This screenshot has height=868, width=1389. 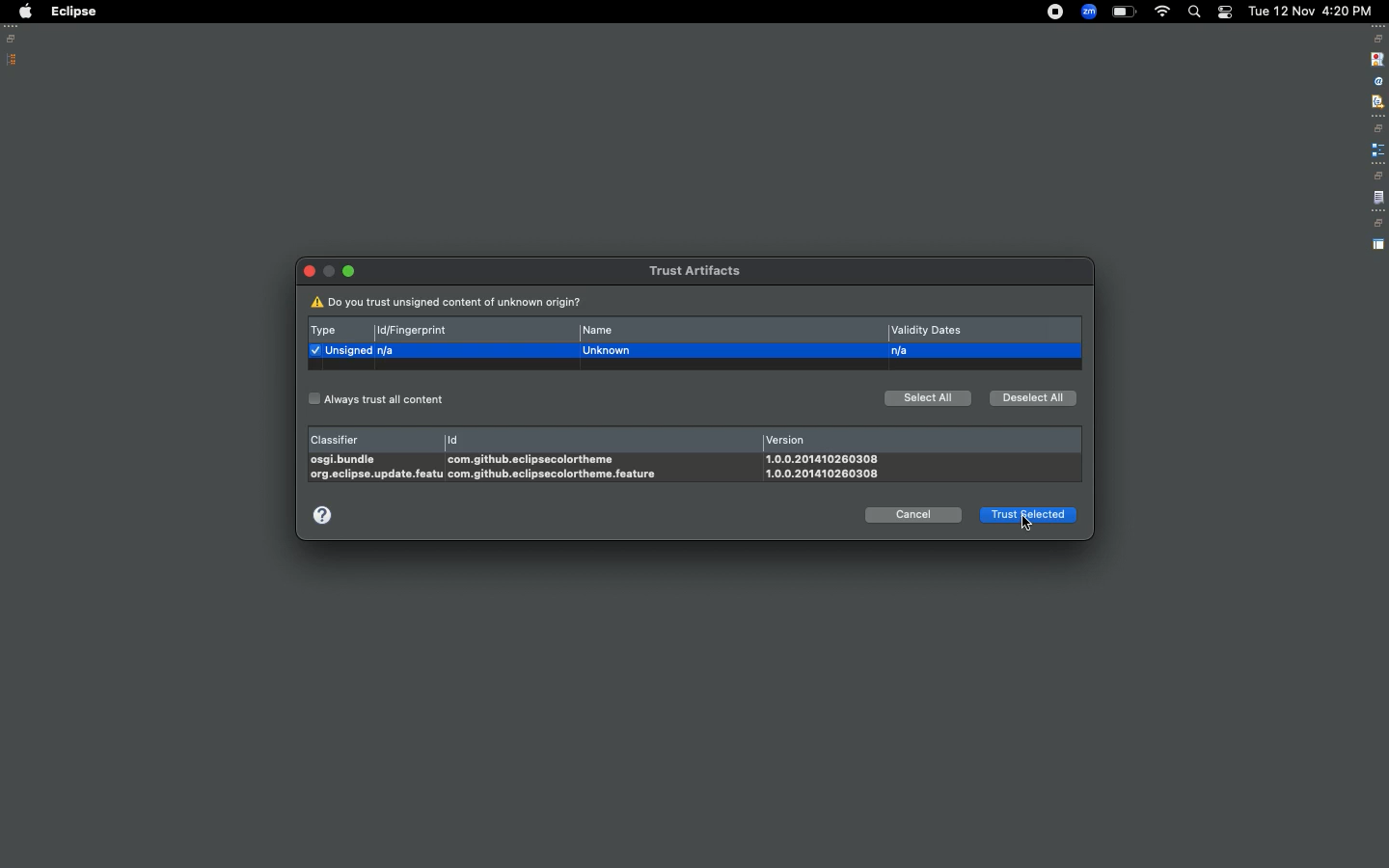 I want to click on Close, so click(x=311, y=271).